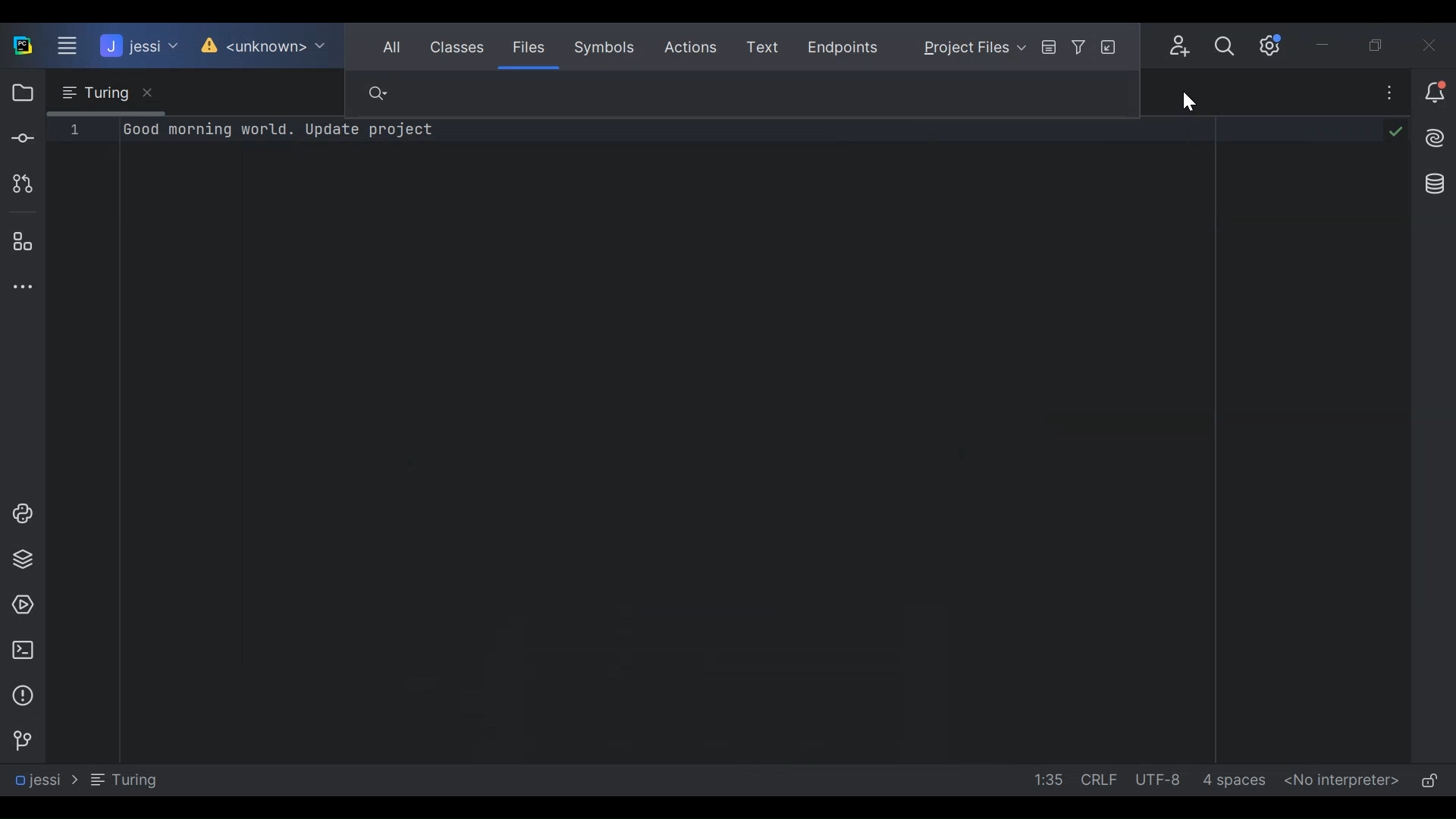 The image size is (1456, 819). What do you see at coordinates (691, 49) in the screenshot?
I see `Actions` at bounding box center [691, 49].